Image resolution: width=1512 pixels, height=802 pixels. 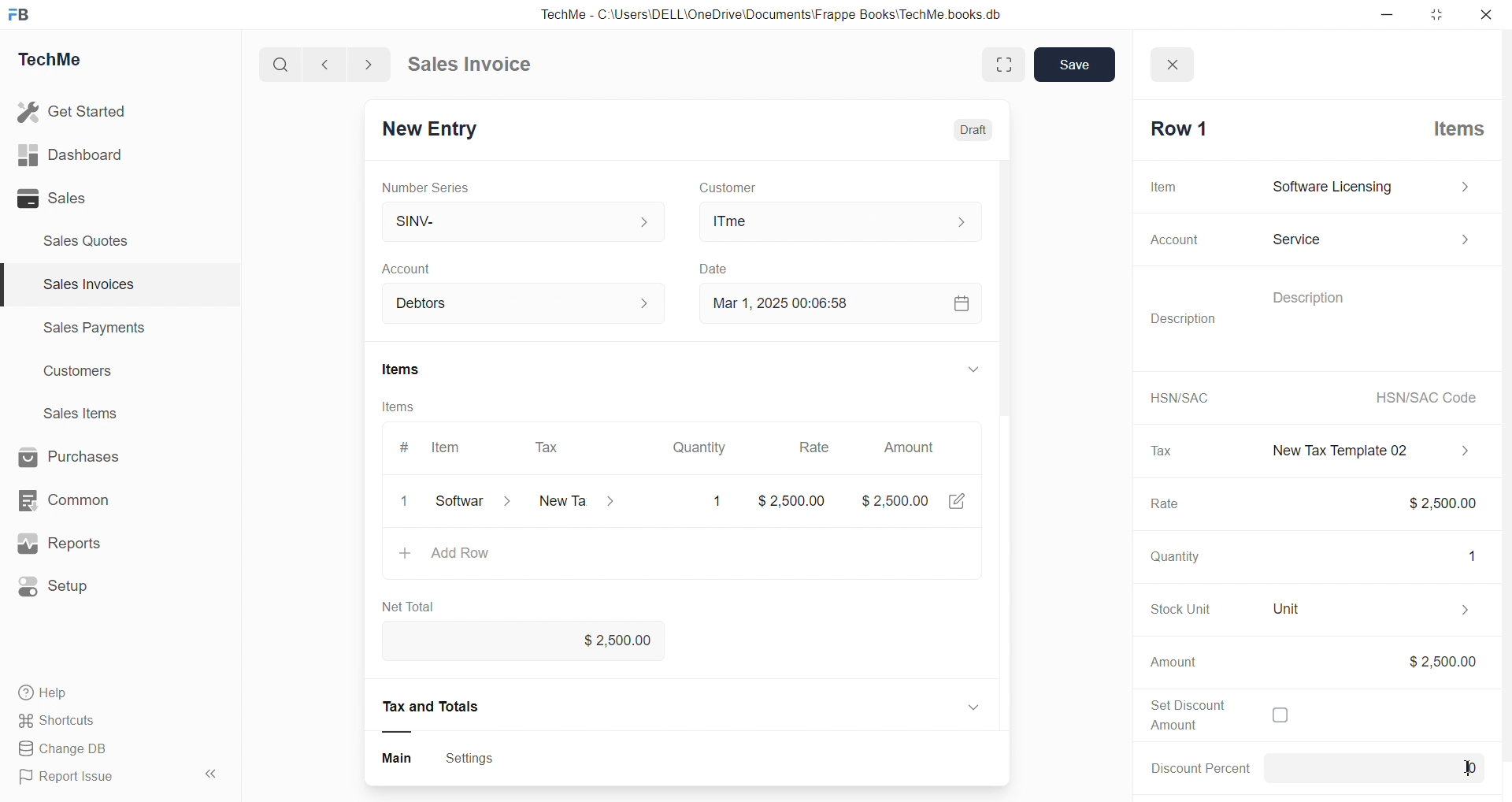 I want to click on Sales Quotes, so click(x=92, y=240).